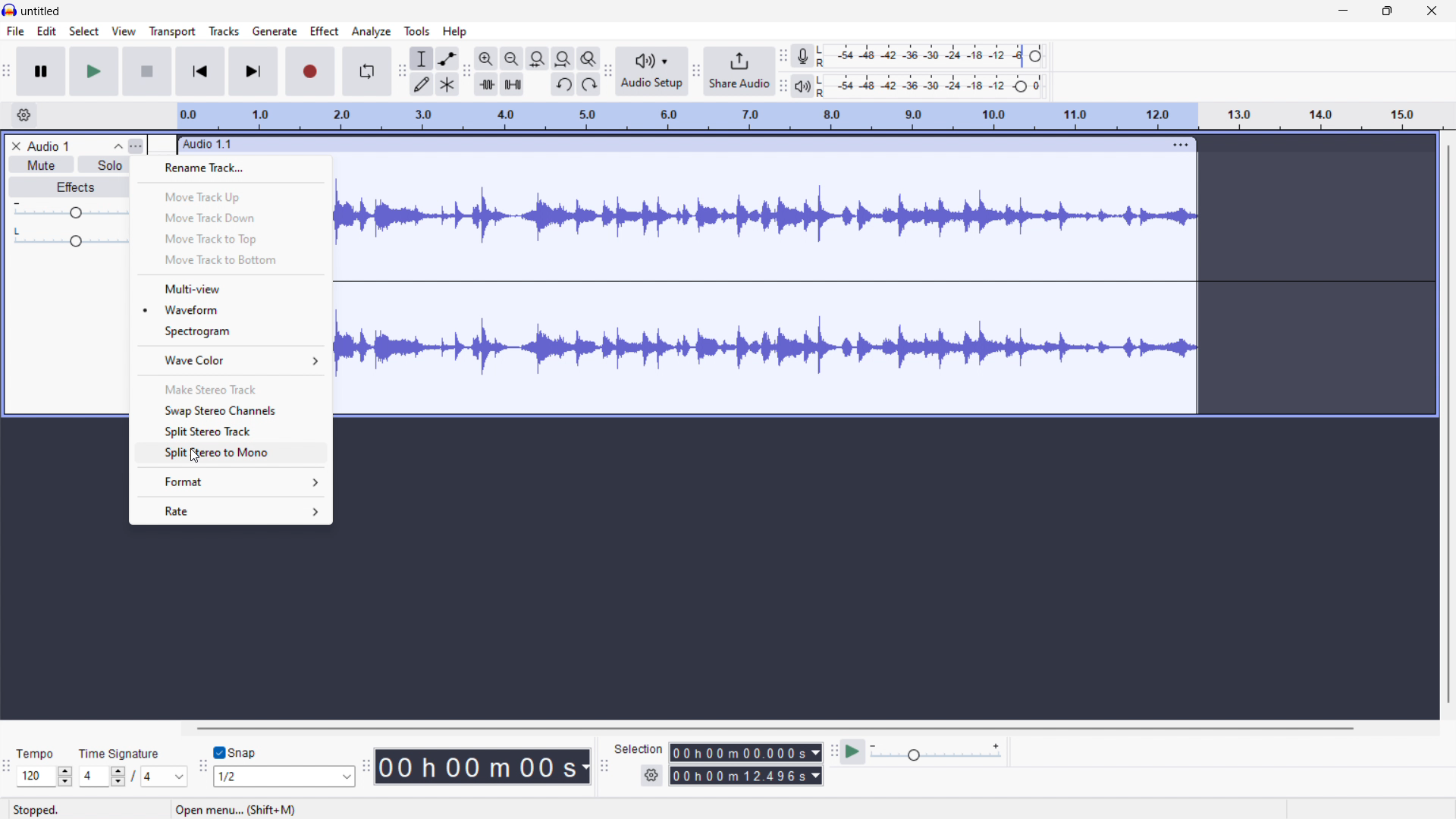  Describe the element at coordinates (454, 32) in the screenshot. I see `help` at that location.